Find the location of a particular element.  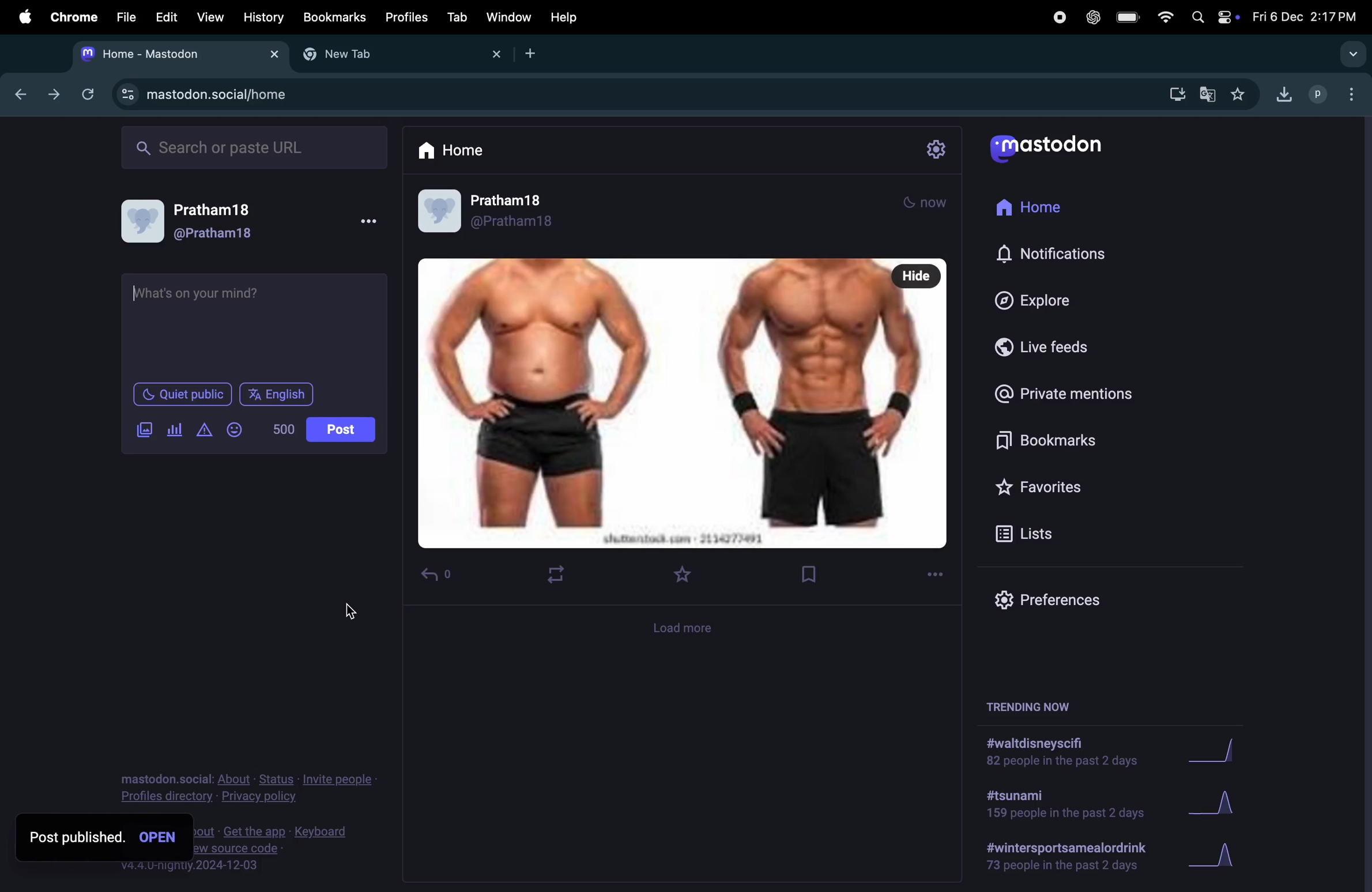

forward is located at coordinates (54, 94).